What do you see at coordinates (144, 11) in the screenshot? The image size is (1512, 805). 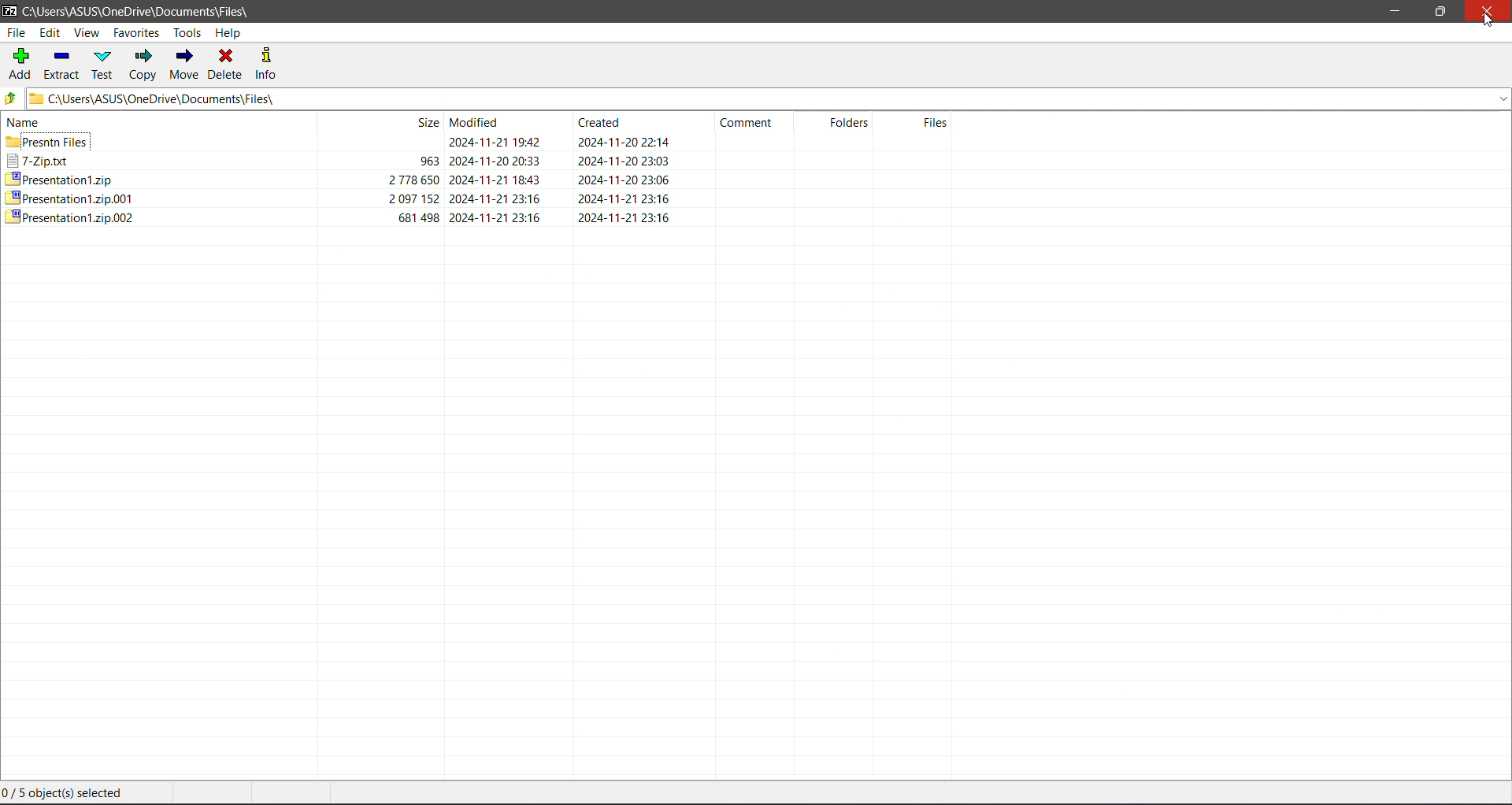 I see `c\Users\ASUS\OneDrive\Documents\Files\` at bounding box center [144, 11].